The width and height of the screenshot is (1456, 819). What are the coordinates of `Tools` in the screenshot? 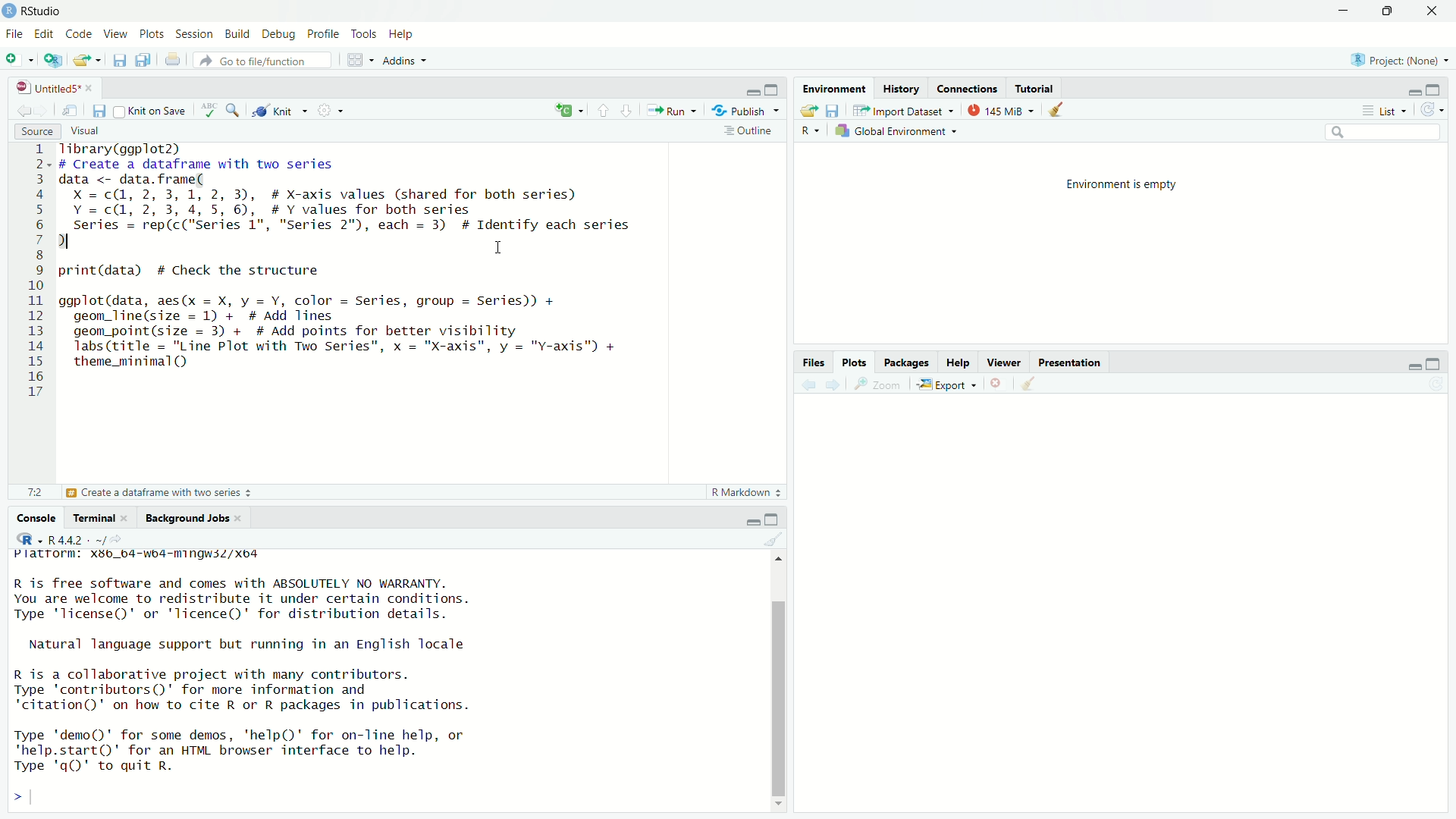 It's located at (367, 36).